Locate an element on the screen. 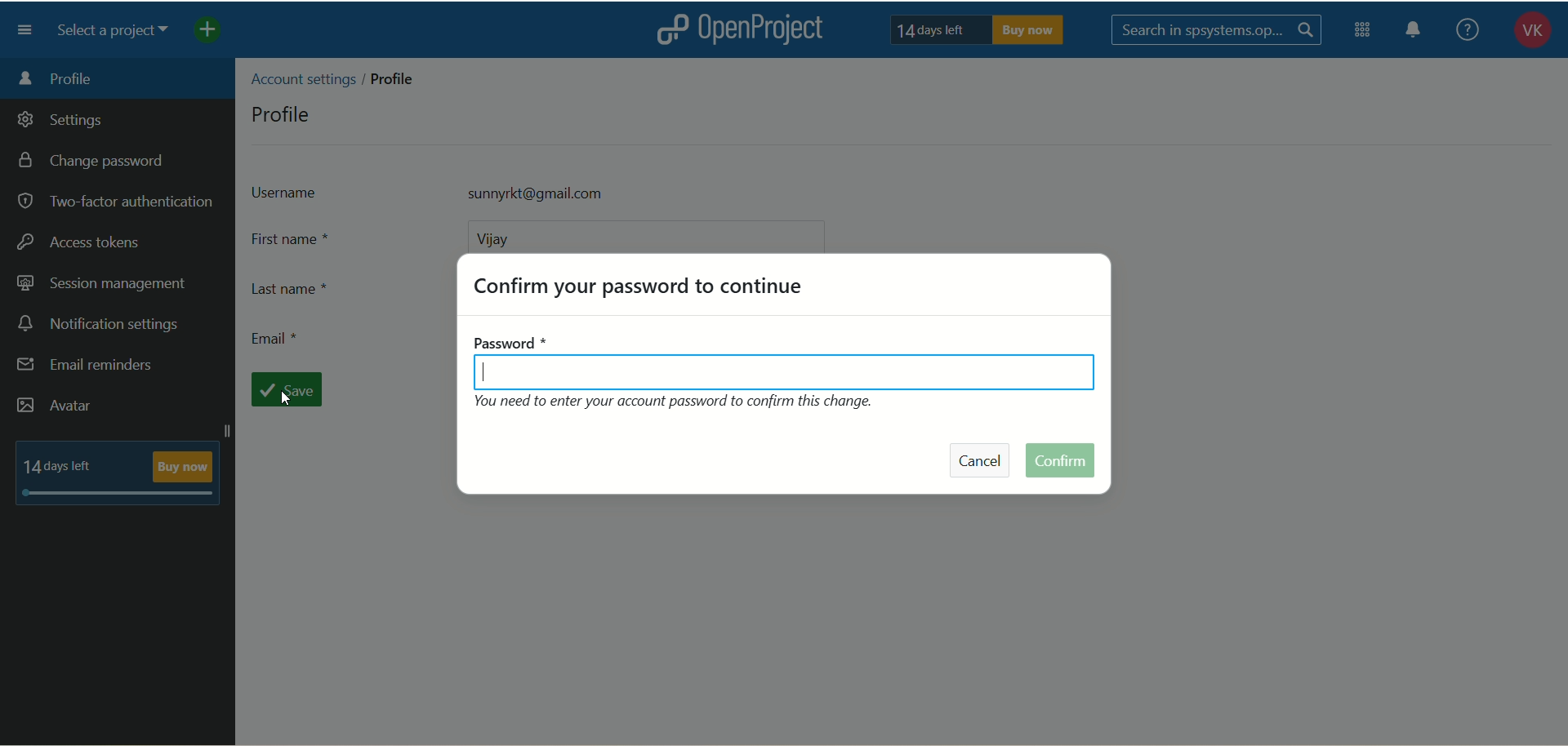  cursor is located at coordinates (283, 402).